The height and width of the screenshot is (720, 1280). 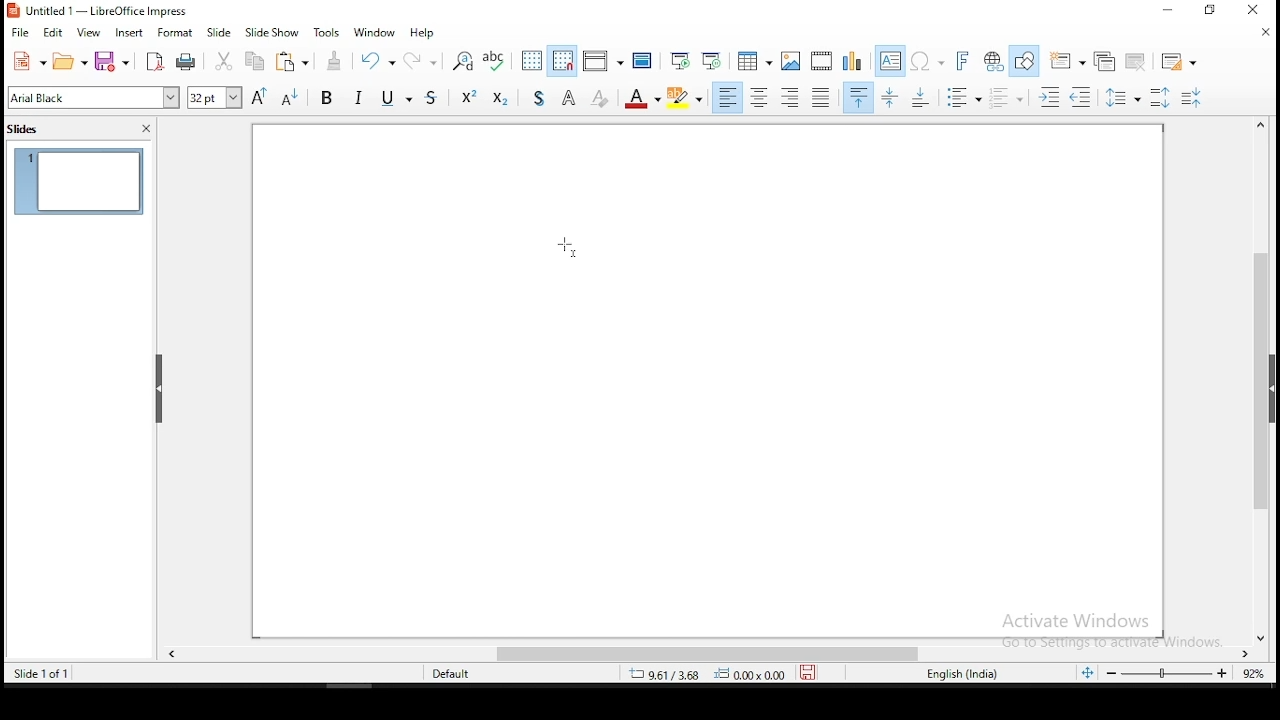 I want to click on Subscript, so click(x=499, y=96).